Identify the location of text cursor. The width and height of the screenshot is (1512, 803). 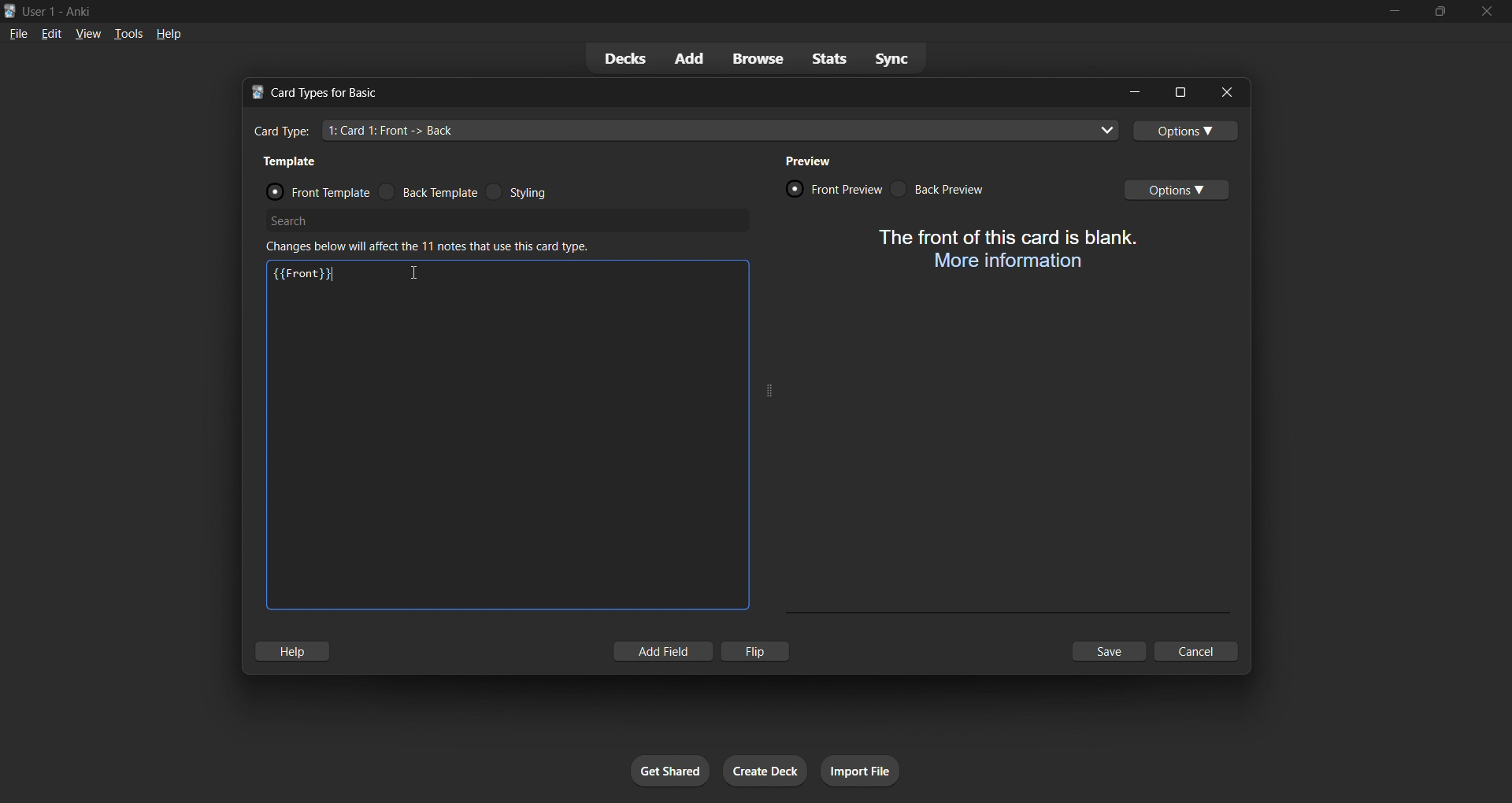
(337, 274).